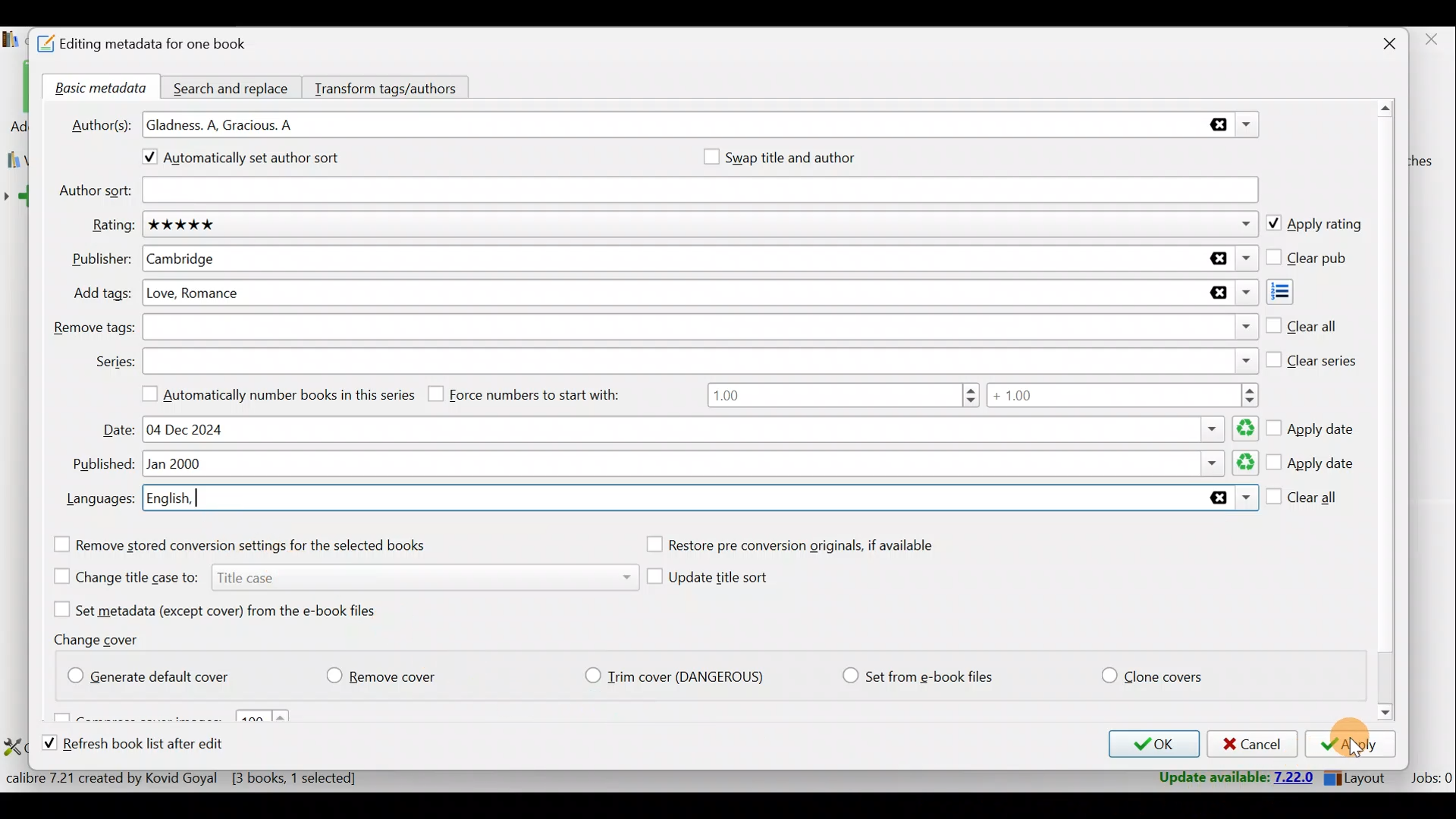 The image size is (1456, 819). Describe the element at coordinates (535, 394) in the screenshot. I see `Force numbers to start with` at that location.